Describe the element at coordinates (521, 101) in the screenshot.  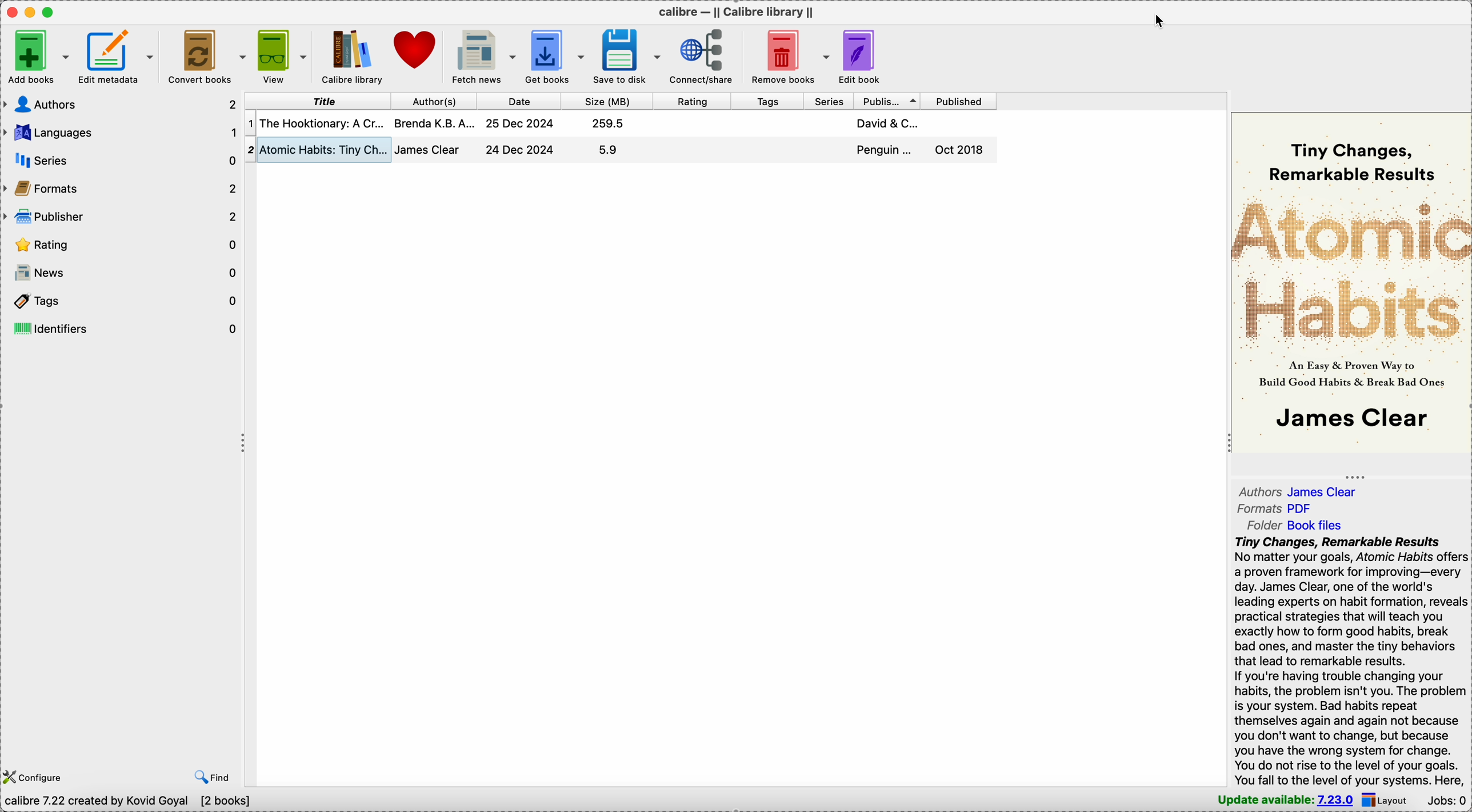
I see `date` at that location.